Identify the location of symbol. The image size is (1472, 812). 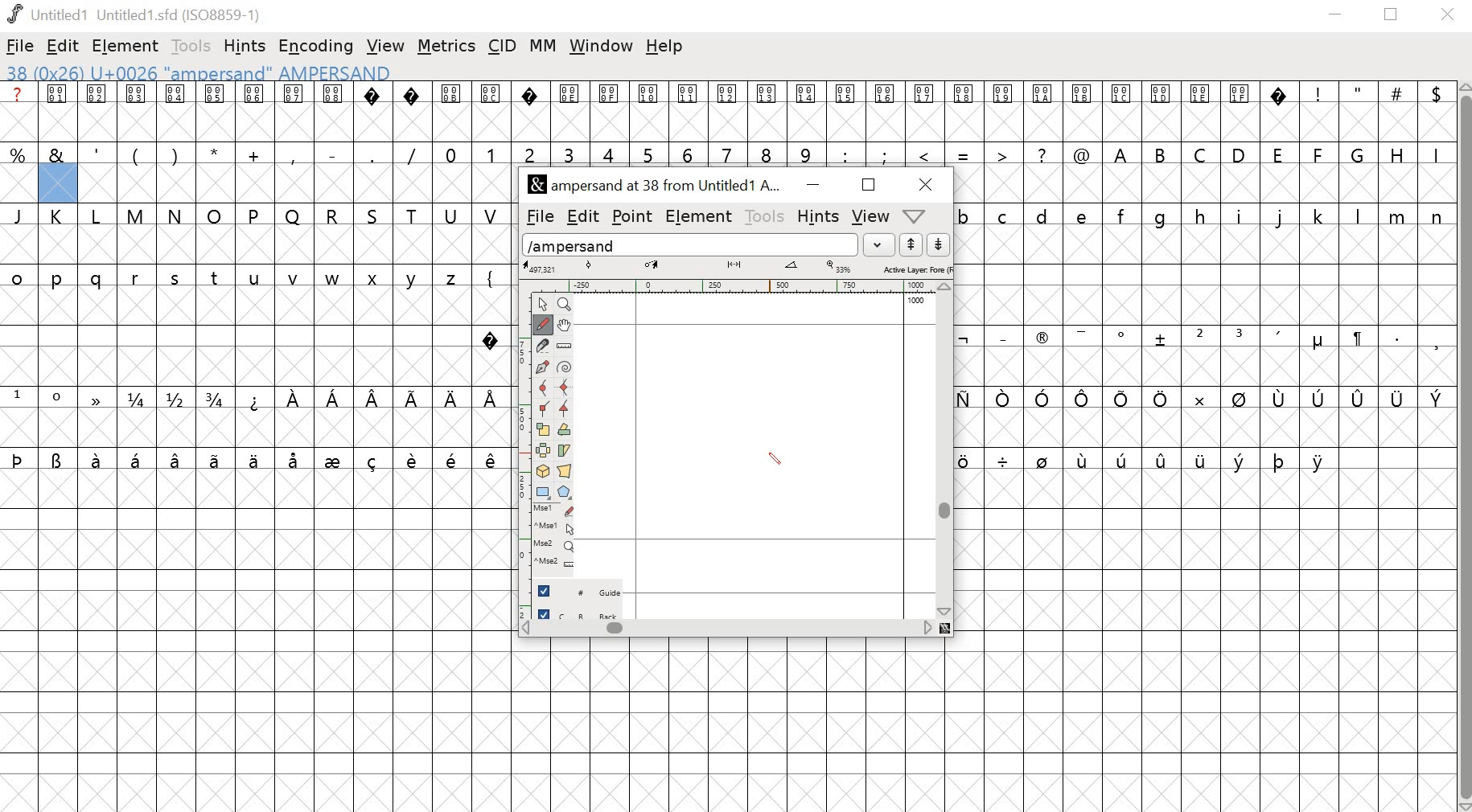
(964, 338).